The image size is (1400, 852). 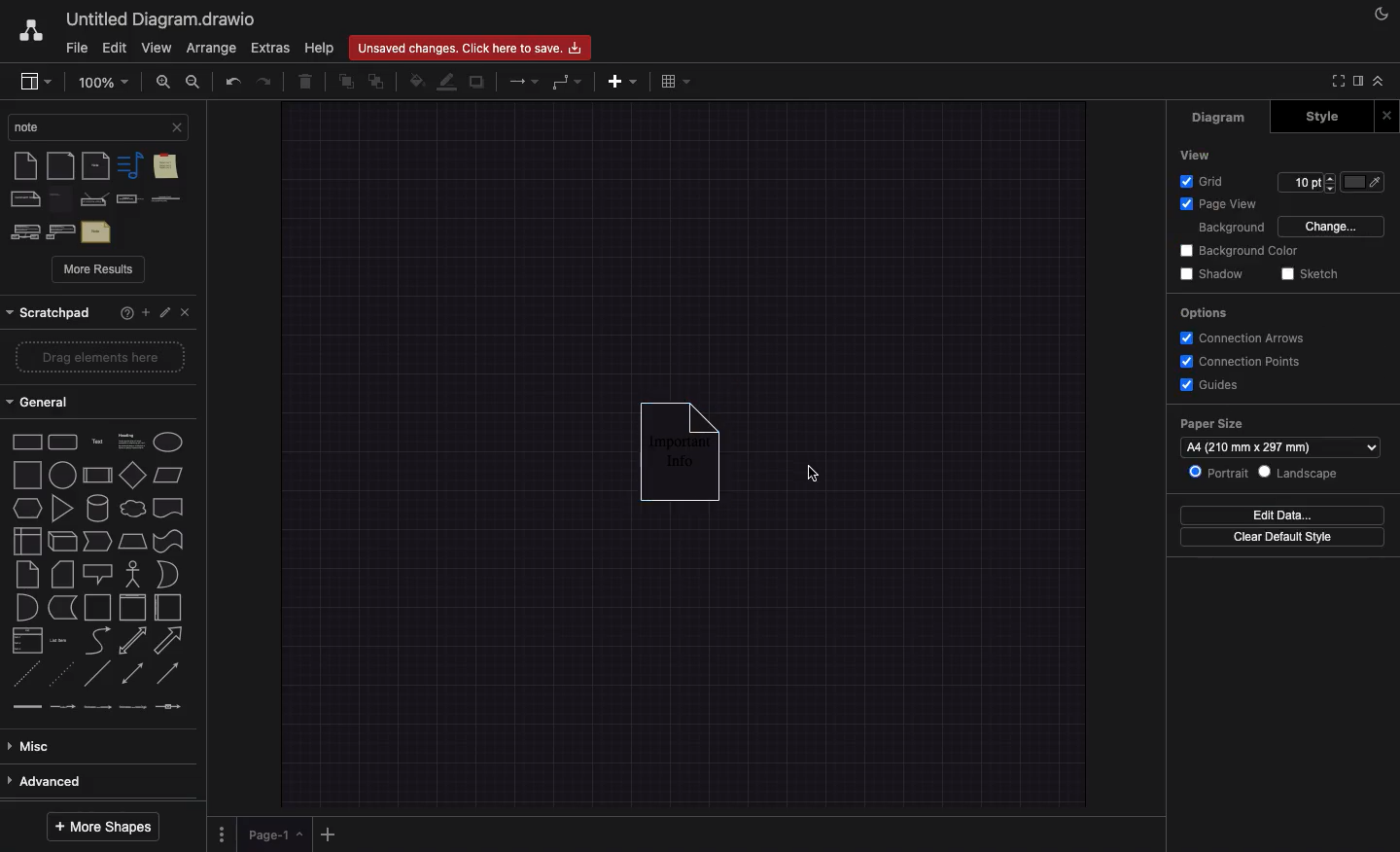 I want to click on Landscape, so click(x=1299, y=471).